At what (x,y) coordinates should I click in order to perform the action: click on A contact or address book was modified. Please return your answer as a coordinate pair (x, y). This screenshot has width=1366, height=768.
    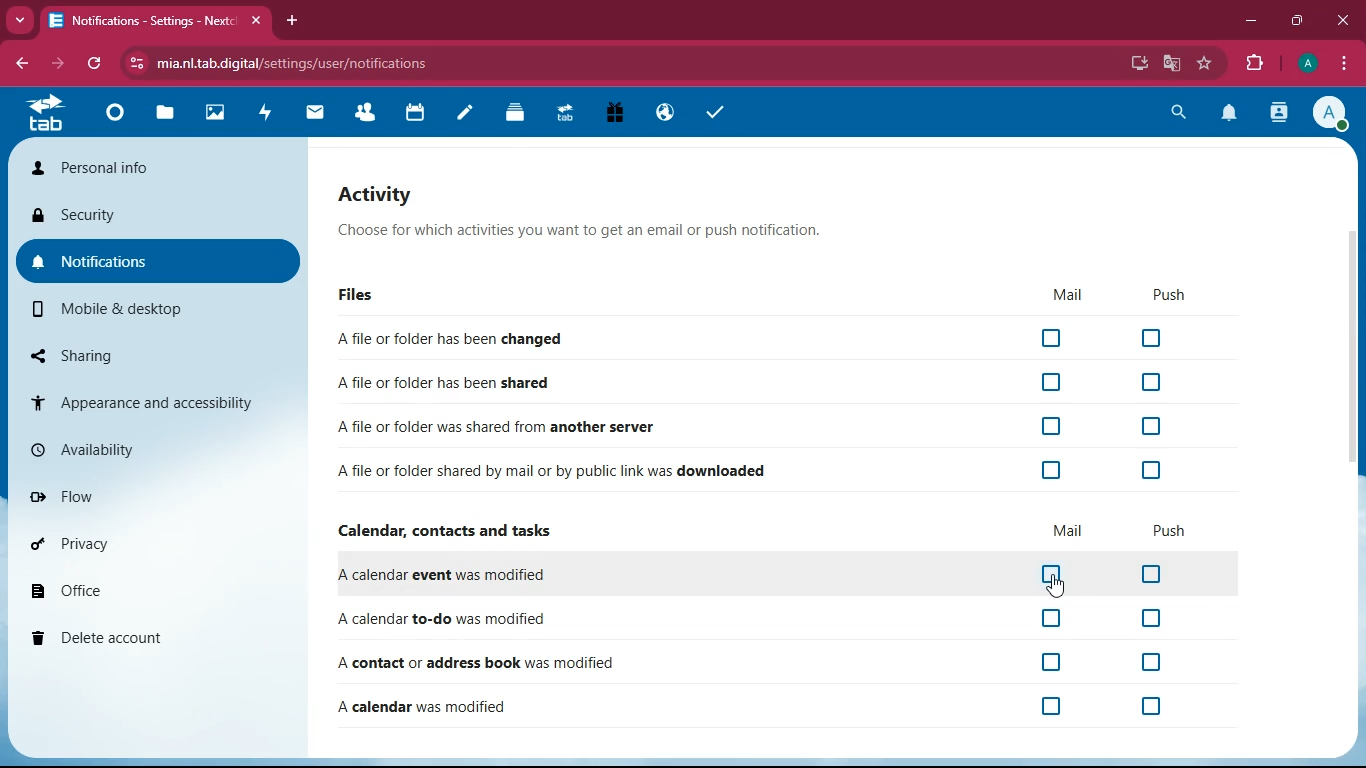
    Looking at the image, I should click on (772, 663).